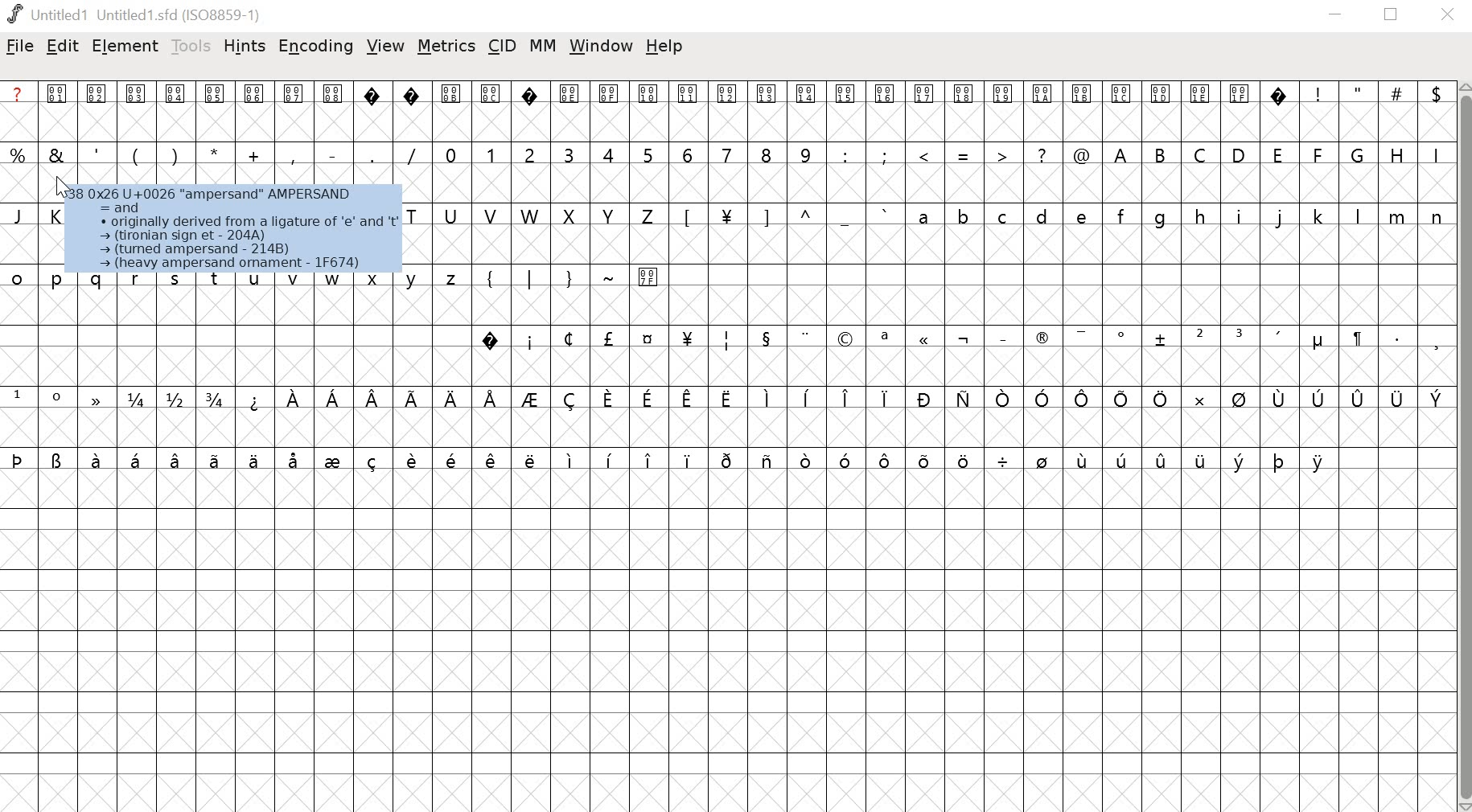 This screenshot has height=812, width=1472. What do you see at coordinates (294, 155) in the screenshot?
I see `,` at bounding box center [294, 155].